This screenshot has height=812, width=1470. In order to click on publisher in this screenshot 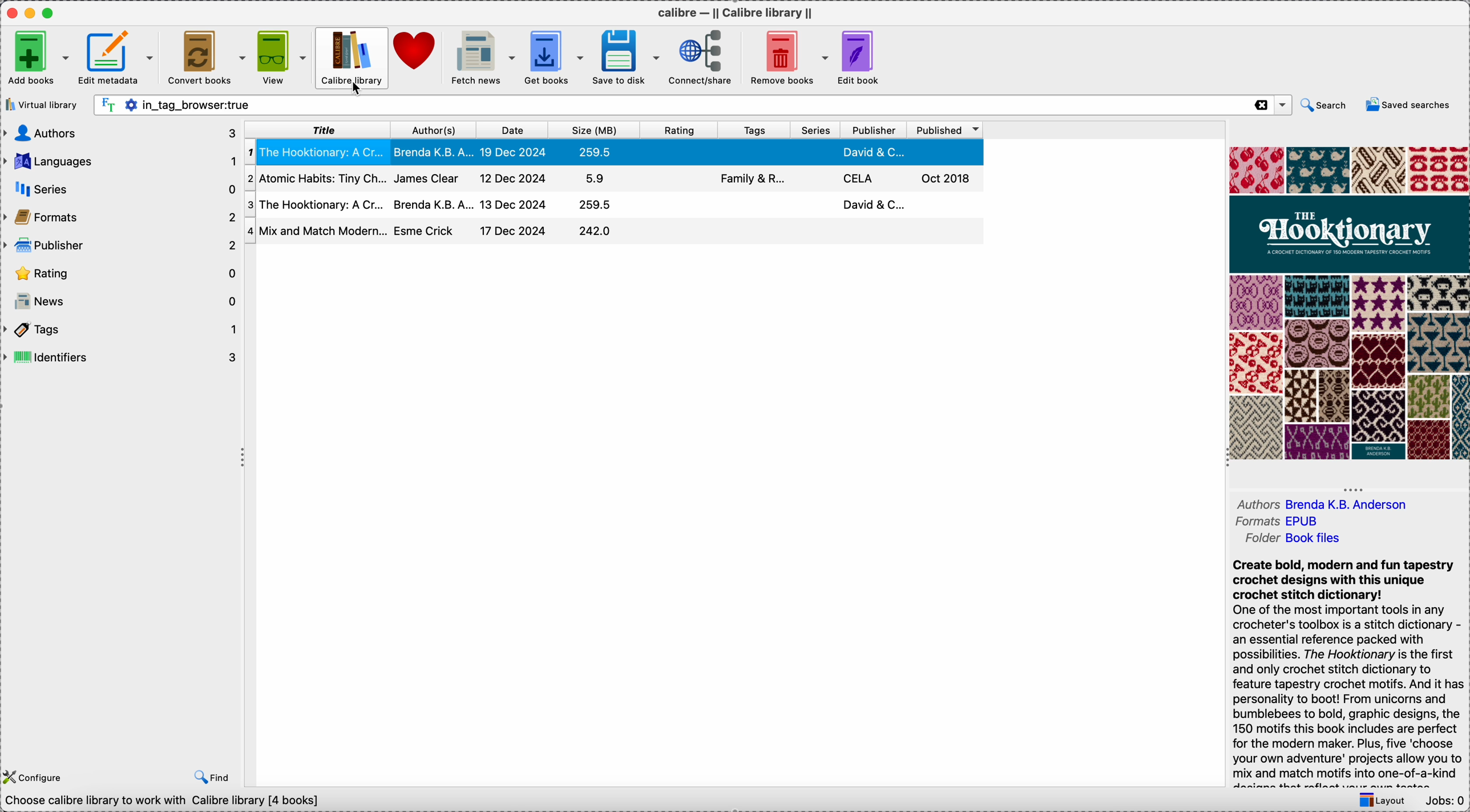, I will do `click(120, 244)`.